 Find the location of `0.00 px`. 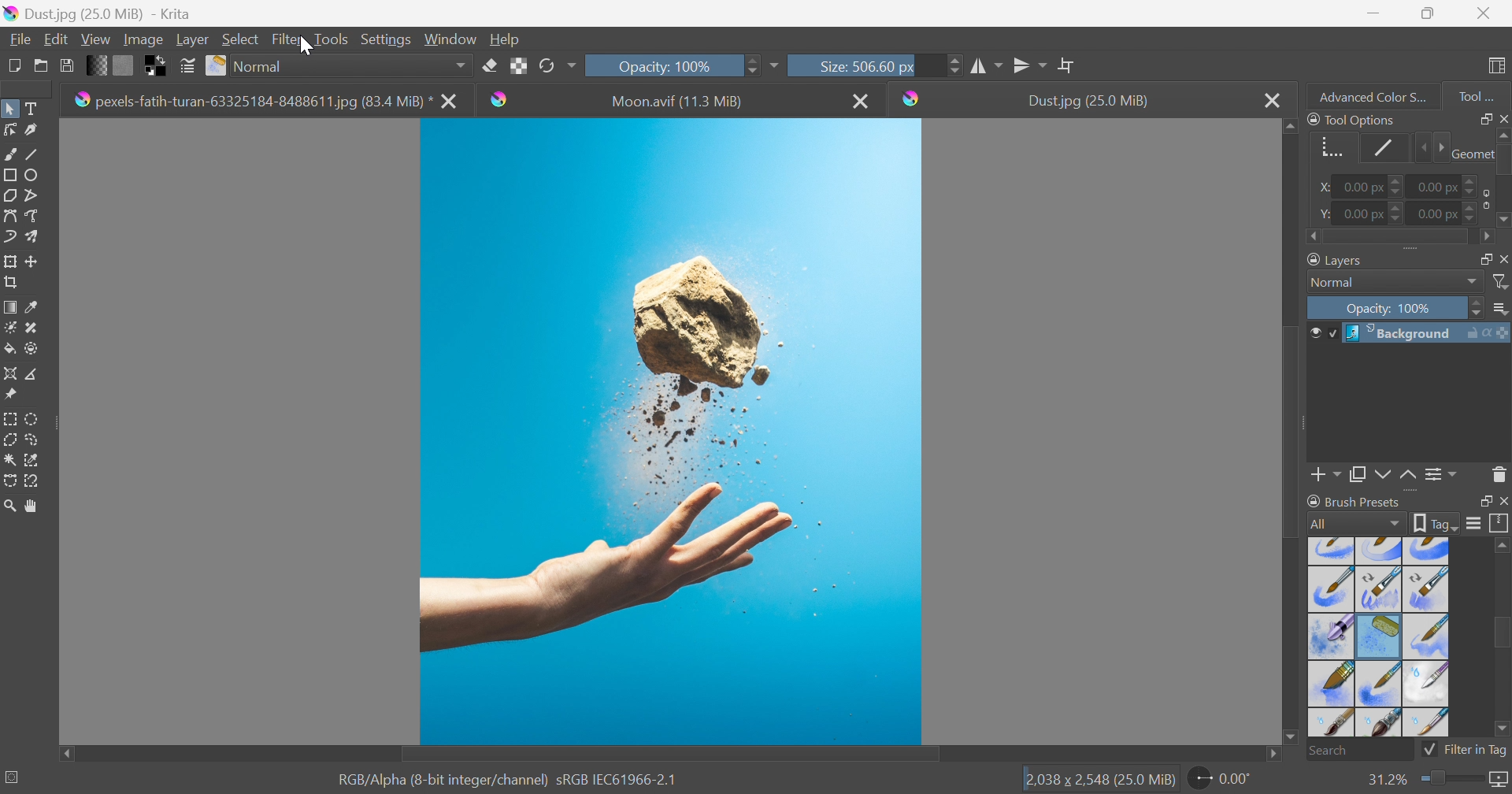

0.00 px is located at coordinates (1439, 185).